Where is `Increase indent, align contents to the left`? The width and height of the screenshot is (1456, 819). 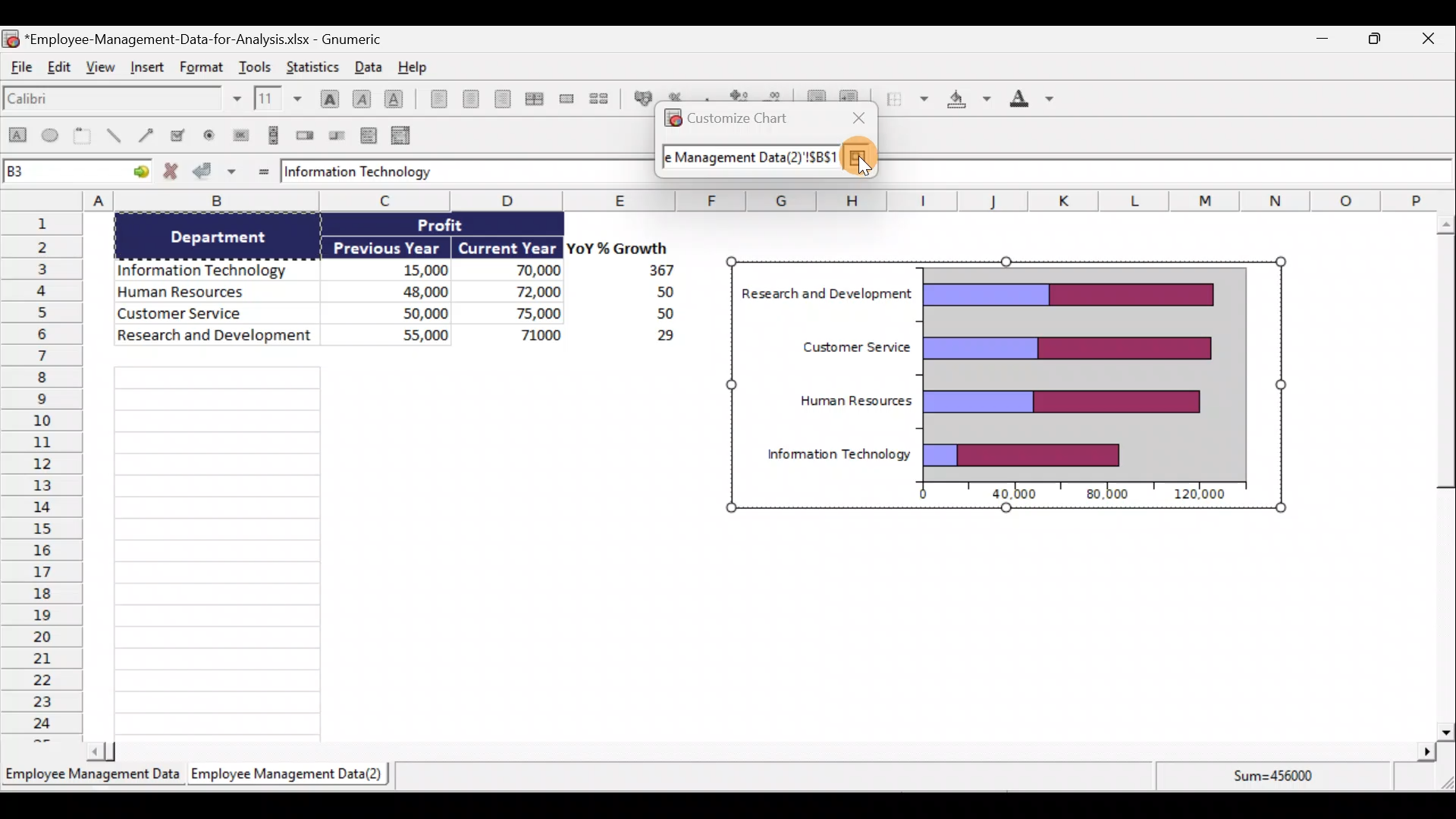 Increase indent, align contents to the left is located at coordinates (854, 93).